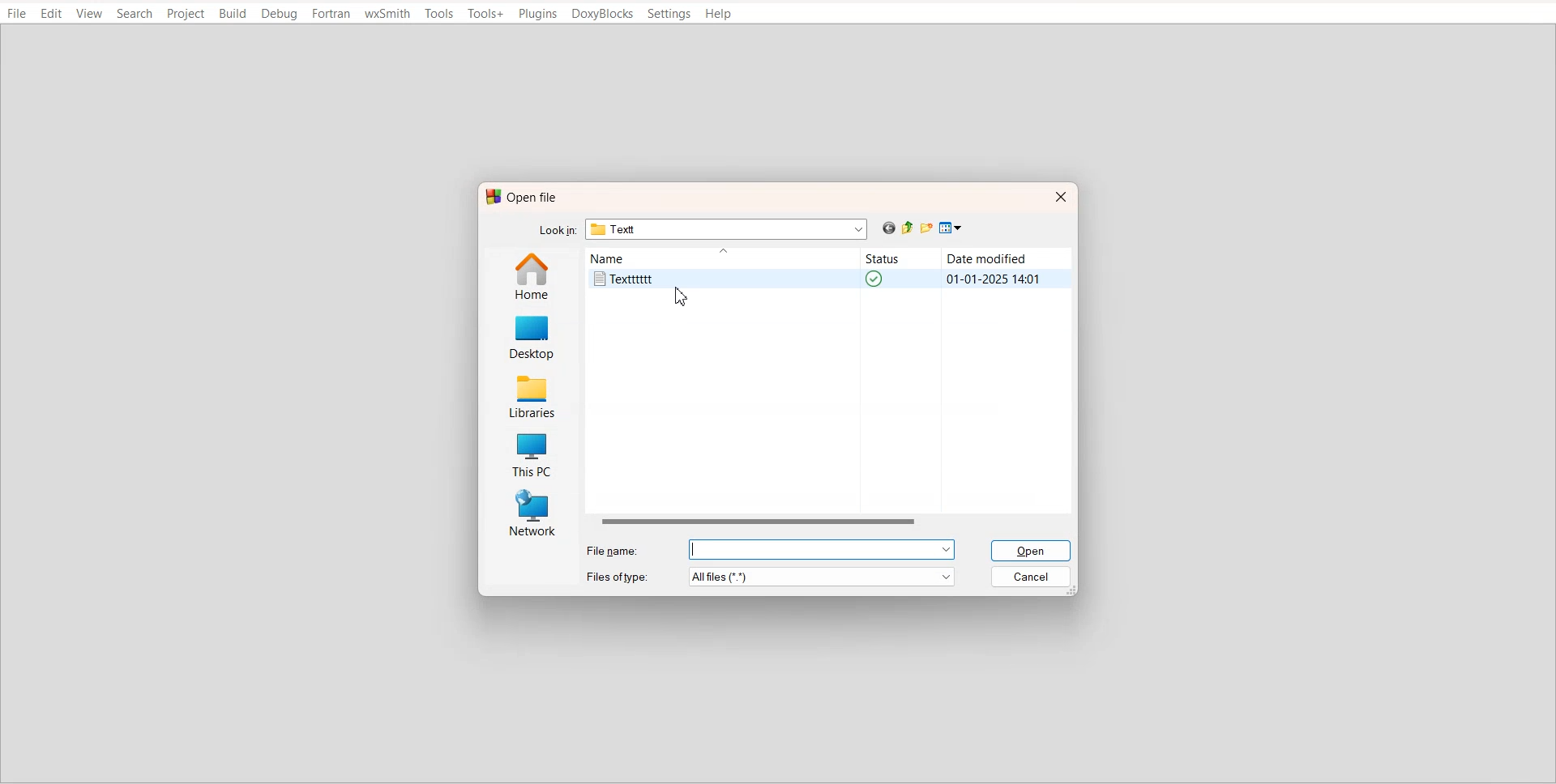  What do you see at coordinates (532, 453) in the screenshot?
I see `This PC` at bounding box center [532, 453].